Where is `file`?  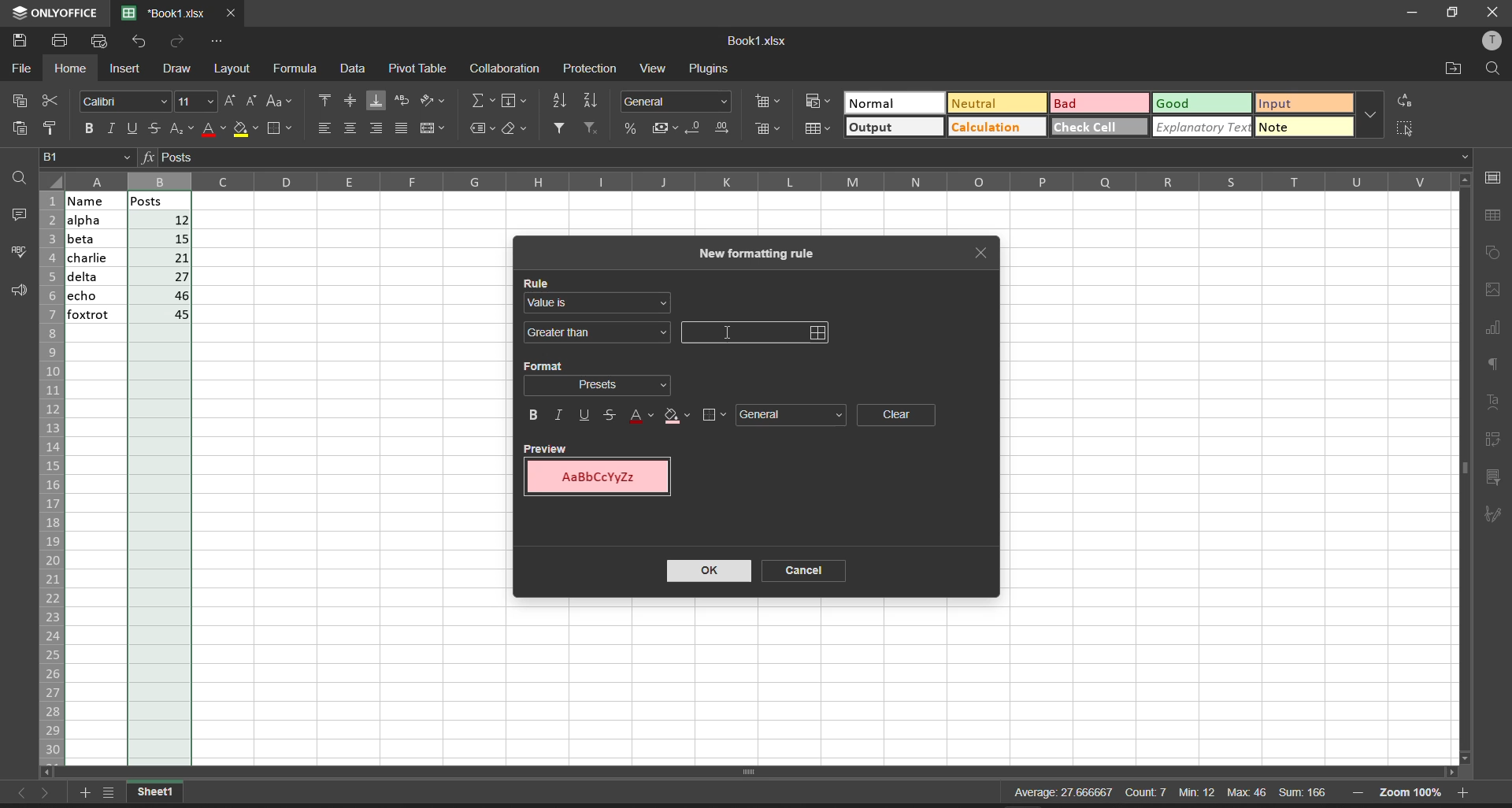
file is located at coordinates (22, 69).